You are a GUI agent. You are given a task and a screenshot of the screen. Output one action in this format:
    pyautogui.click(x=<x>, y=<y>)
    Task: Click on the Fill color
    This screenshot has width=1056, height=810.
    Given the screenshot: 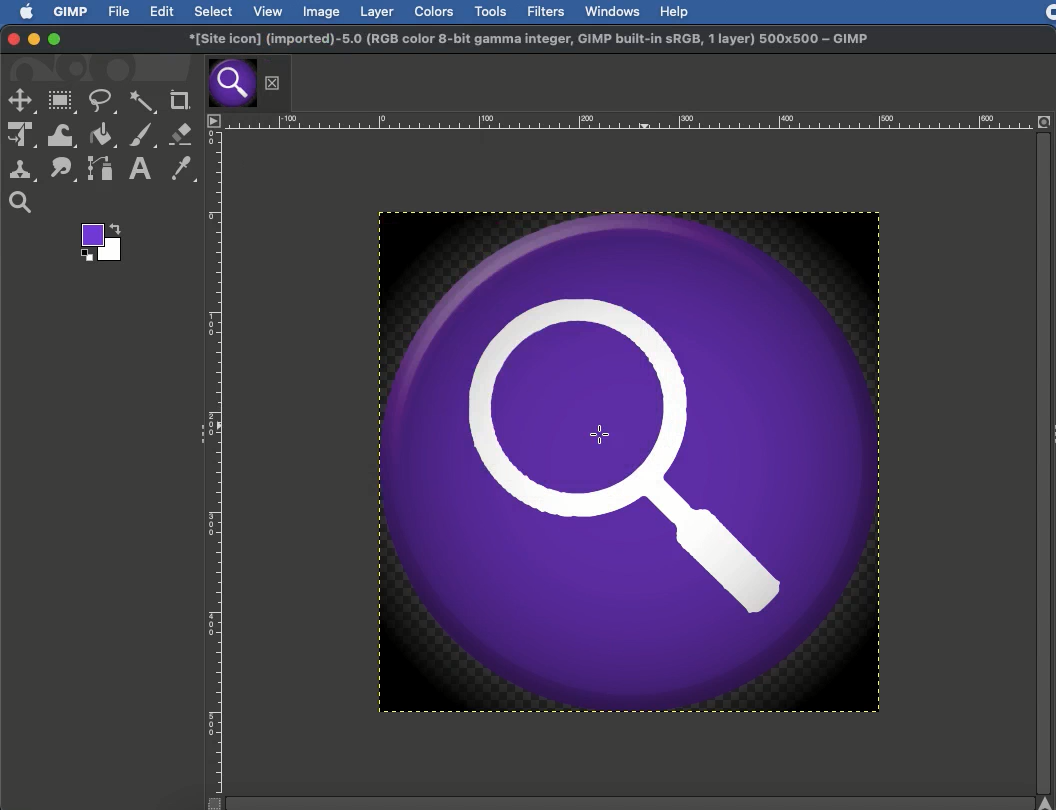 What is the action you would take?
    pyautogui.click(x=101, y=136)
    